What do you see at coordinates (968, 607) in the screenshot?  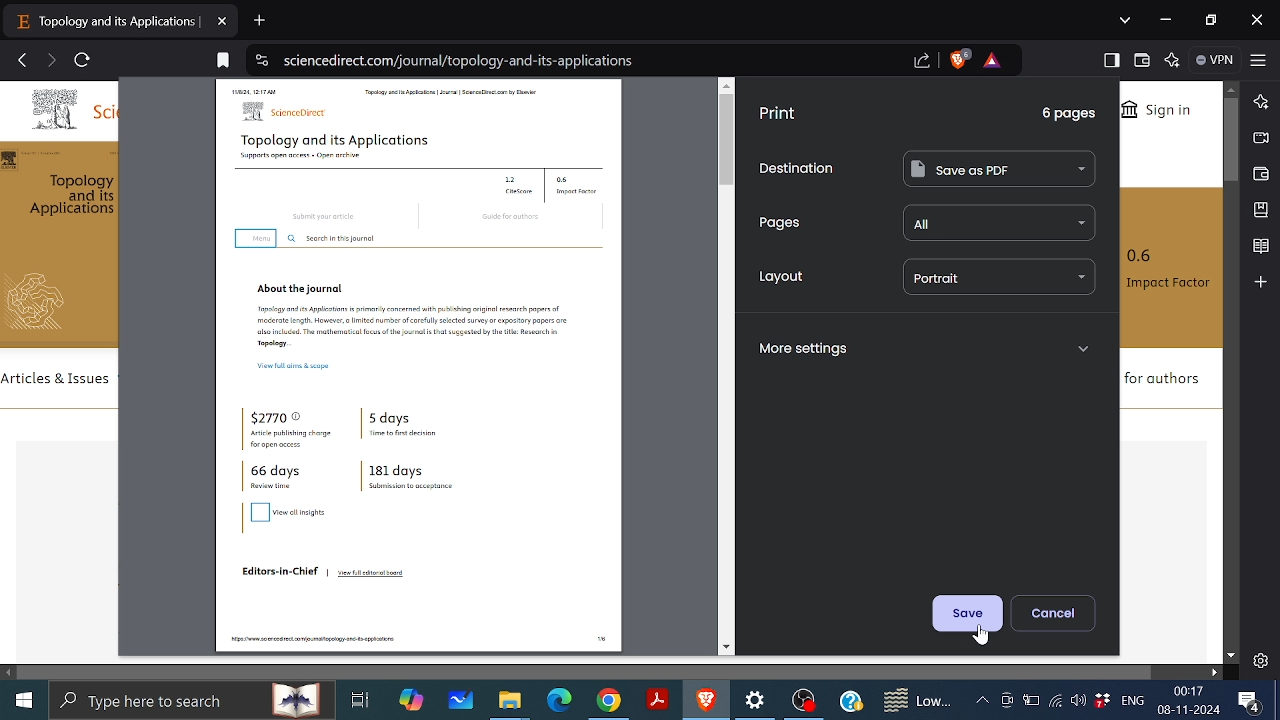 I see `Save` at bounding box center [968, 607].